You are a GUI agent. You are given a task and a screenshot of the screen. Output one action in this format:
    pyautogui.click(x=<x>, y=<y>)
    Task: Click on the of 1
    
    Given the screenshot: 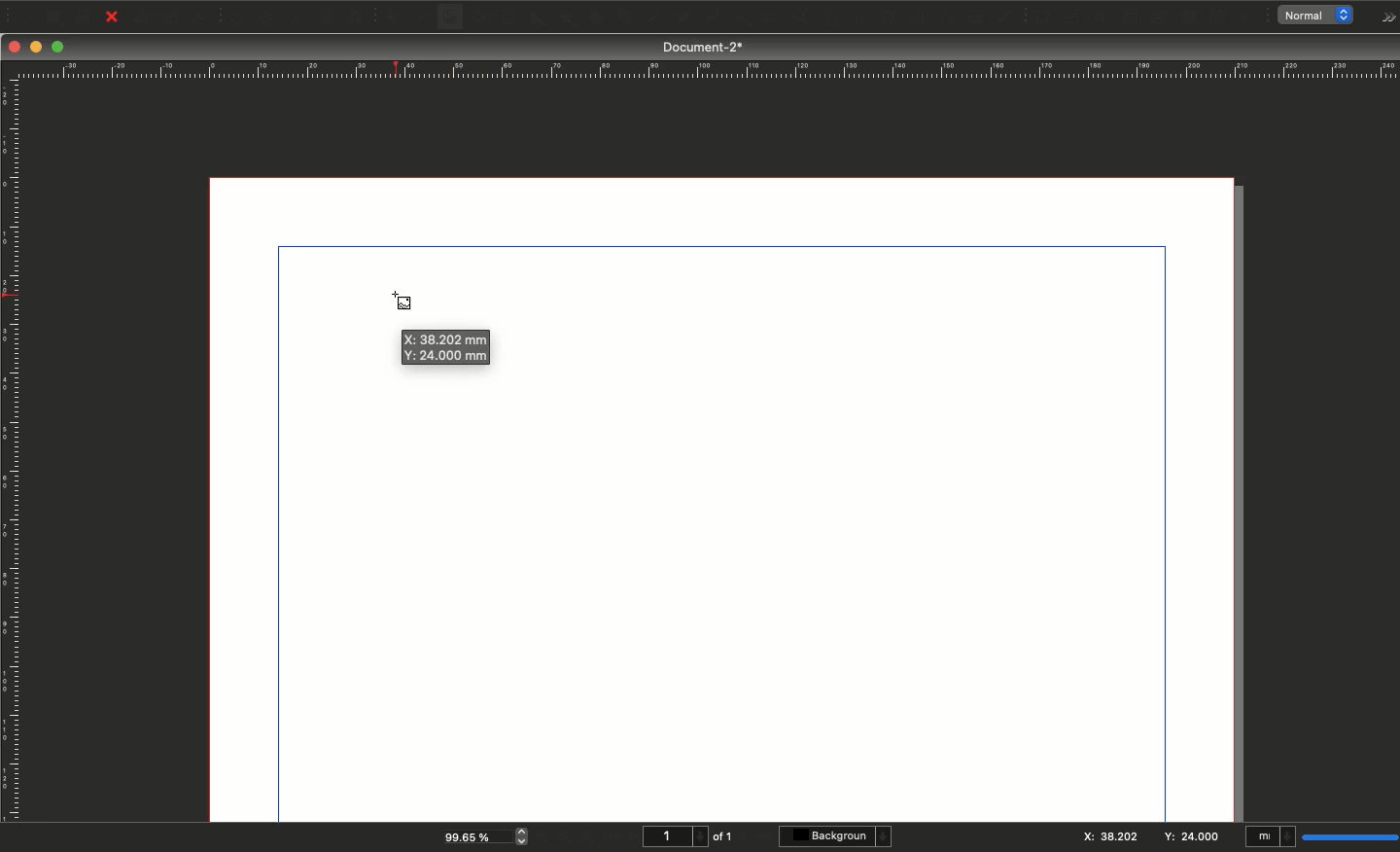 What is the action you would take?
    pyautogui.click(x=723, y=836)
    